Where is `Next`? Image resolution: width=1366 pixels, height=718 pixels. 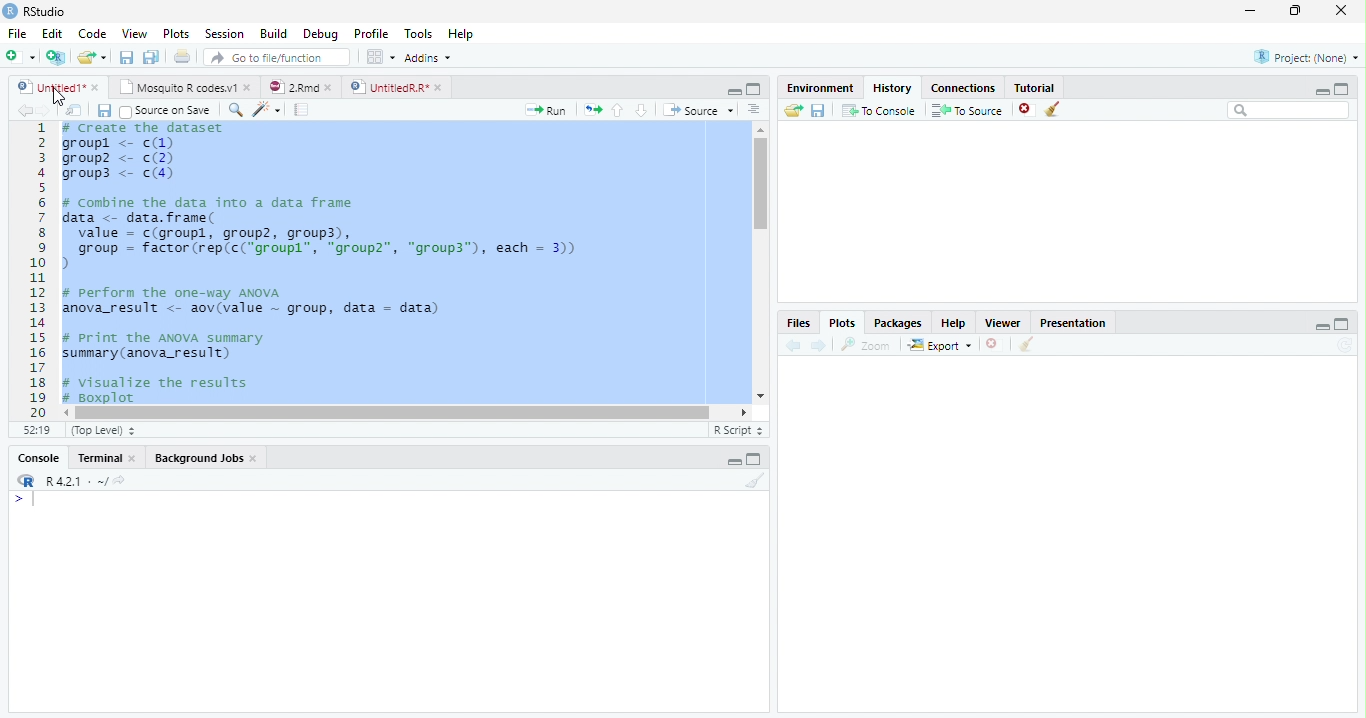
Next is located at coordinates (819, 346).